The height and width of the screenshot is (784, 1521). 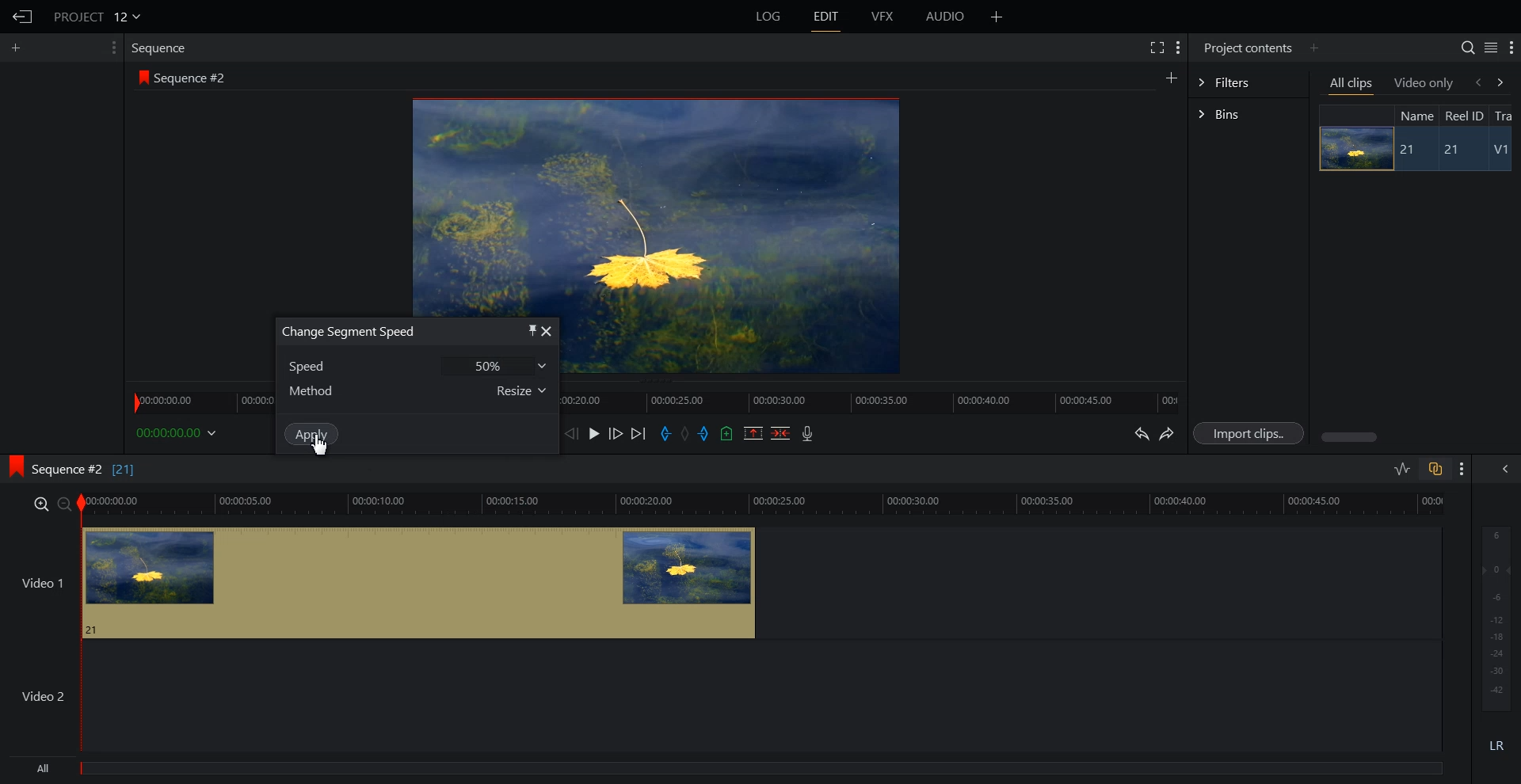 What do you see at coordinates (317, 392) in the screenshot?
I see `Method` at bounding box center [317, 392].